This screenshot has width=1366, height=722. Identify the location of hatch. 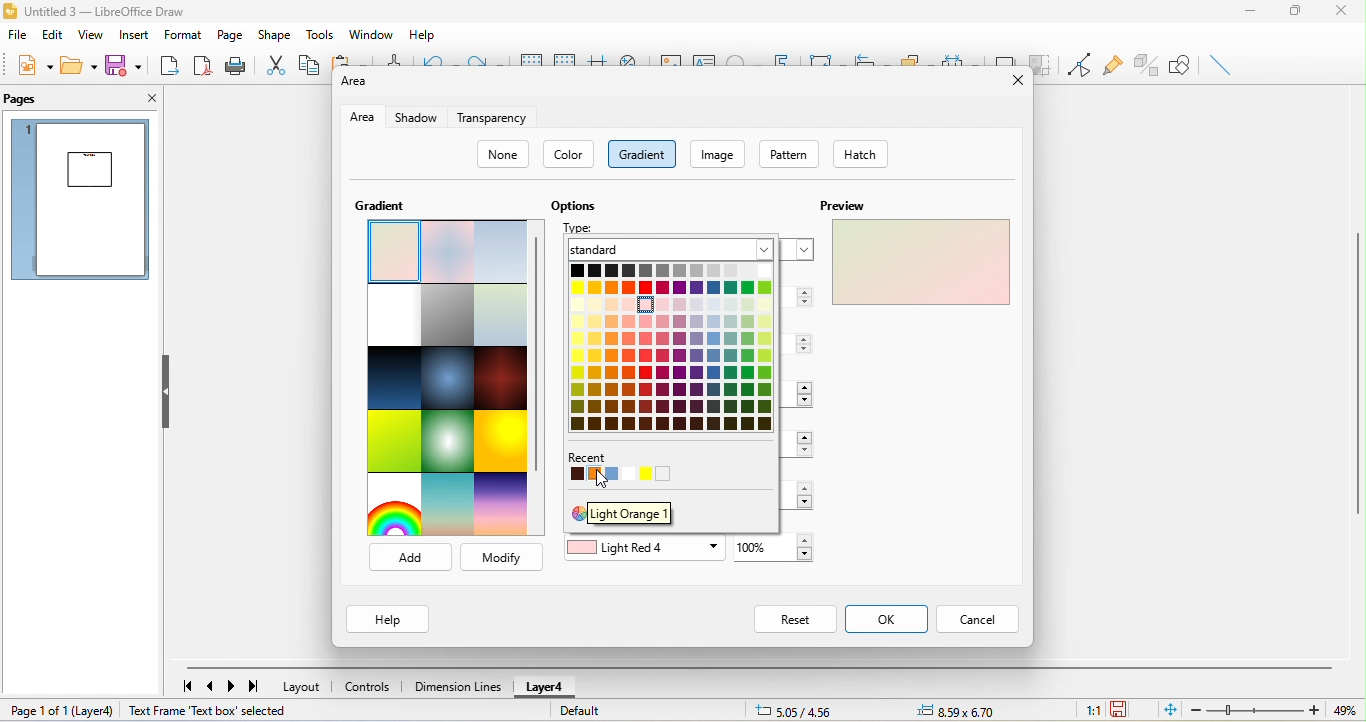
(864, 152).